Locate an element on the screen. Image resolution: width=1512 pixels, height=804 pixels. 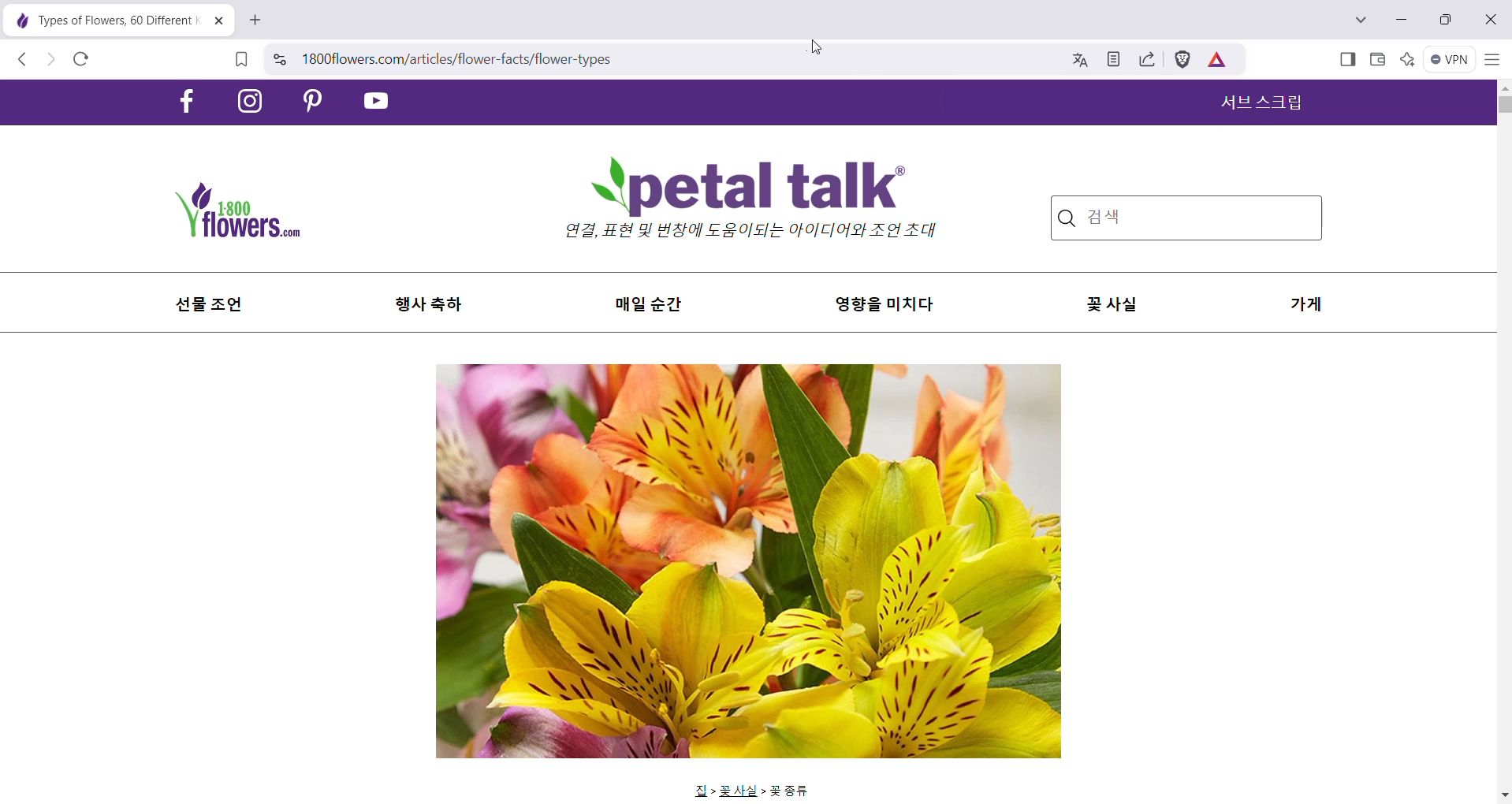
Customize and control Brave is located at coordinates (1492, 58).